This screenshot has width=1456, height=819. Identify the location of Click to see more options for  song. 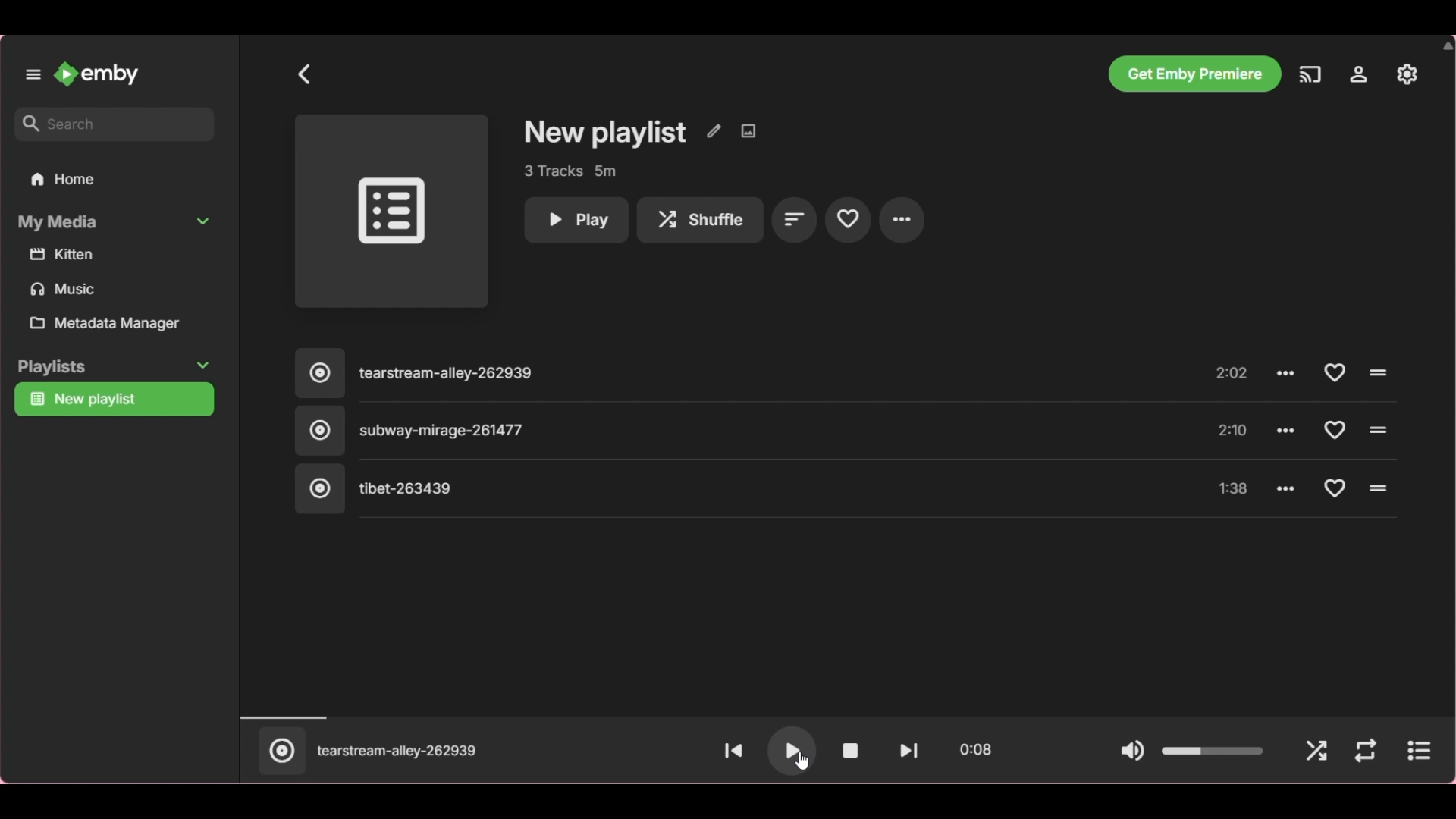
(1286, 487).